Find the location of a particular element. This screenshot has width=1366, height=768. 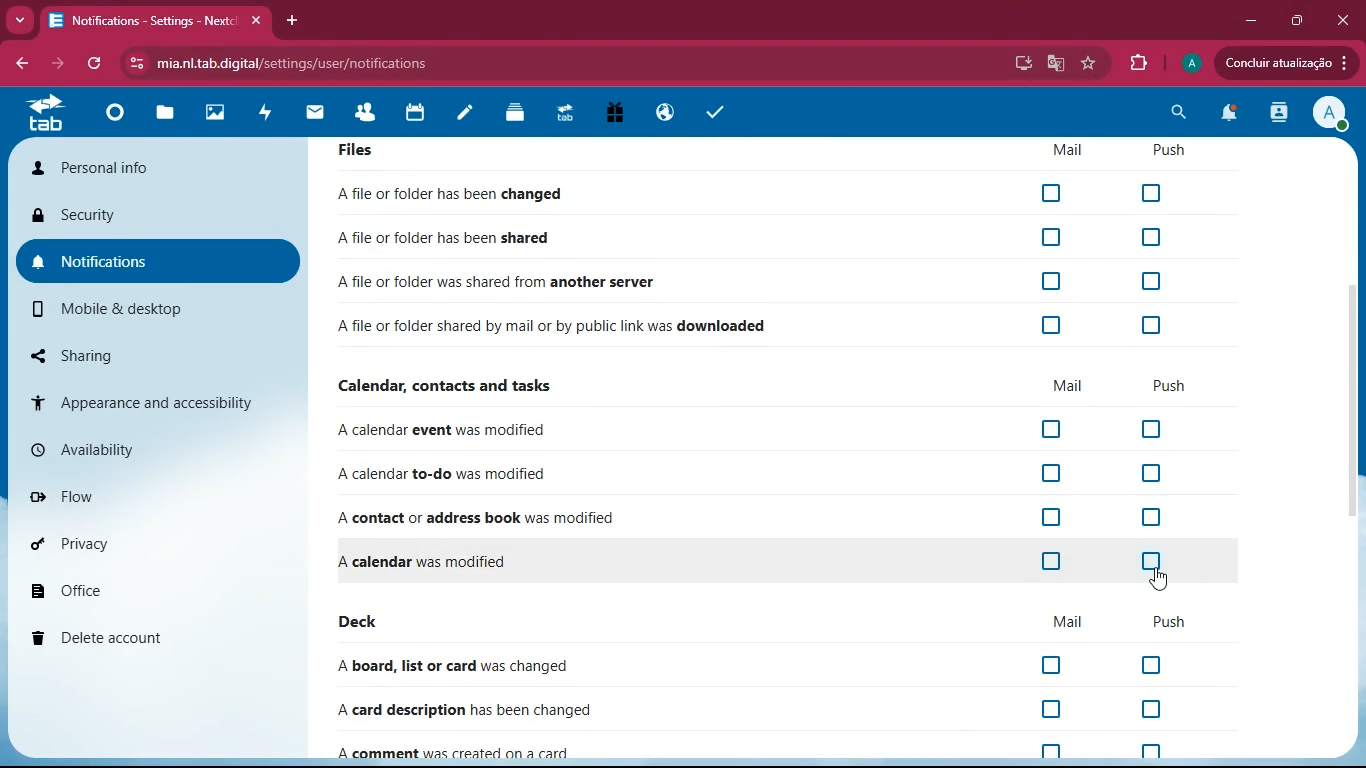

off is located at coordinates (1150, 710).